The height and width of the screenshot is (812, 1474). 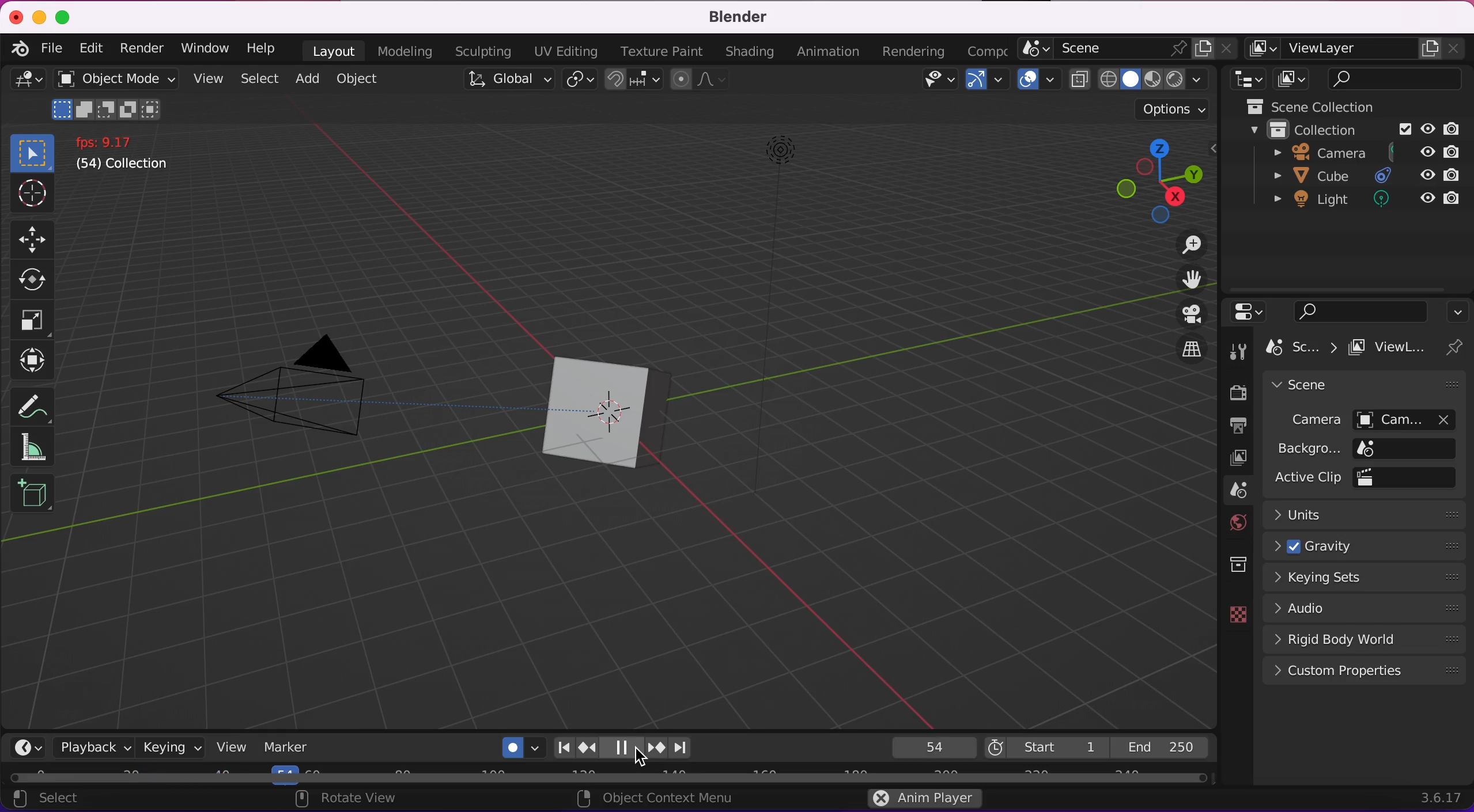 What do you see at coordinates (66, 17) in the screenshot?
I see `maximize` at bounding box center [66, 17].